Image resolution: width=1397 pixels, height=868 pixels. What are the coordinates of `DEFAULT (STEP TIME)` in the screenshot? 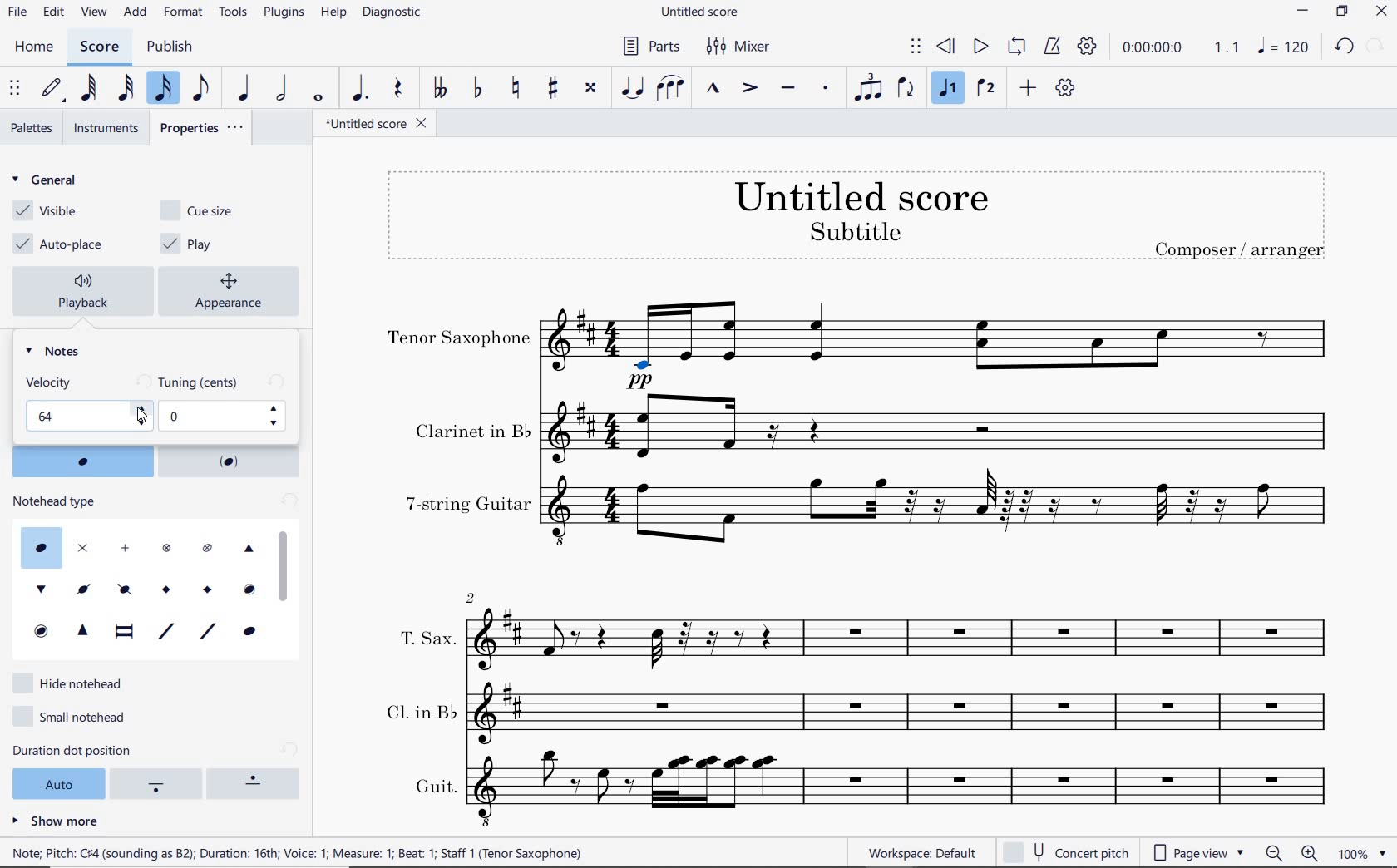 It's located at (54, 91).